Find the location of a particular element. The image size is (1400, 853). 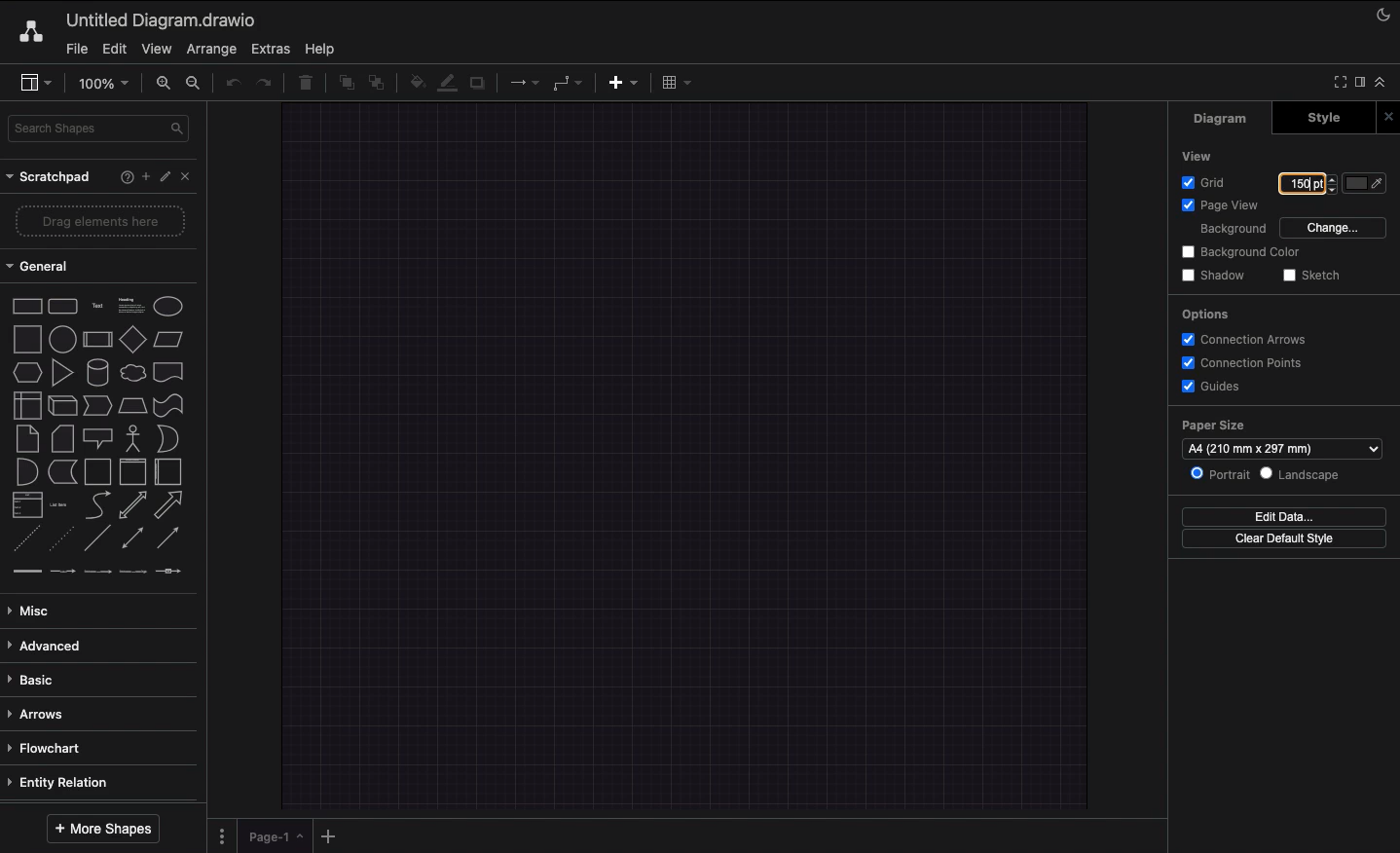

Redo is located at coordinates (267, 84).